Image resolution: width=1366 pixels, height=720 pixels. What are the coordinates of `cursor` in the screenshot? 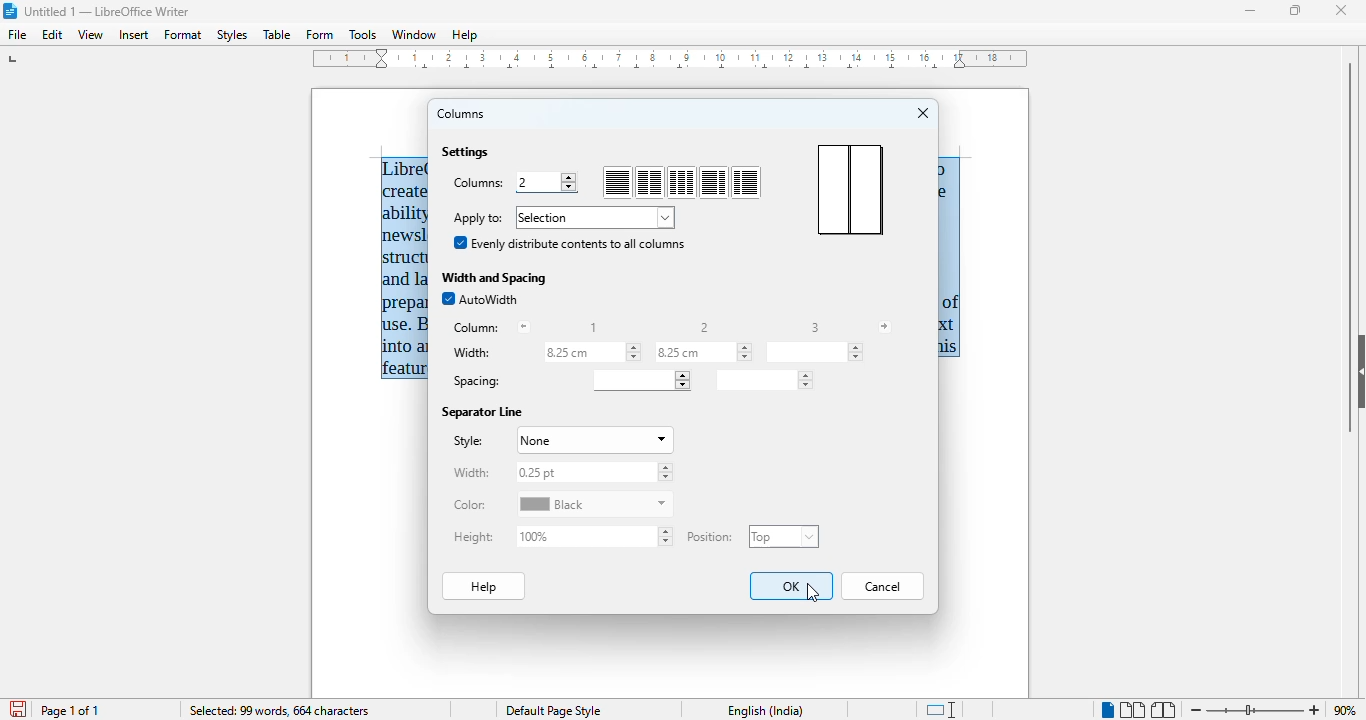 It's located at (810, 592).